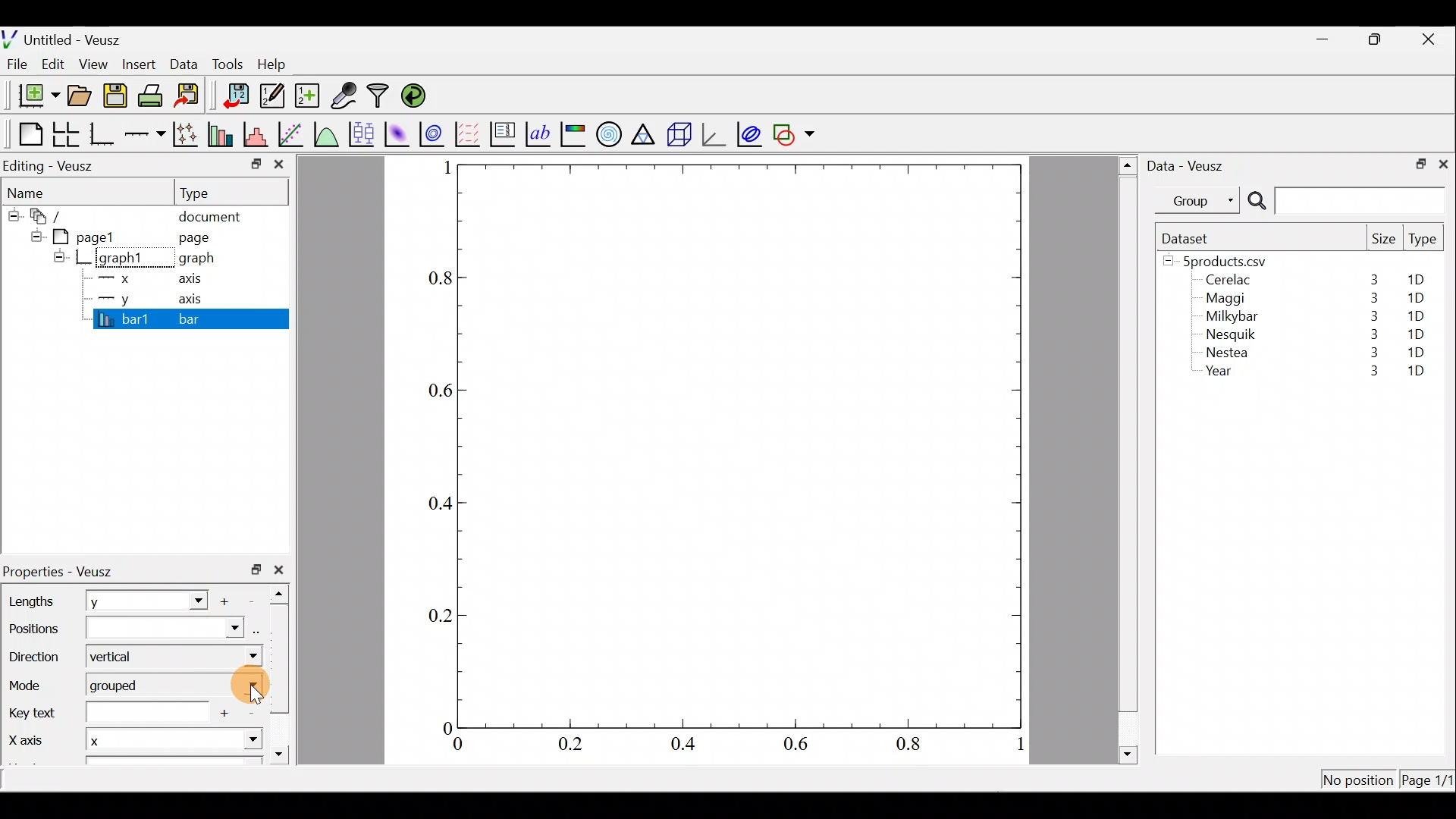  Describe the element at coordinates (1228, 318) in the screenshot. I see `Milkybar` at that location.